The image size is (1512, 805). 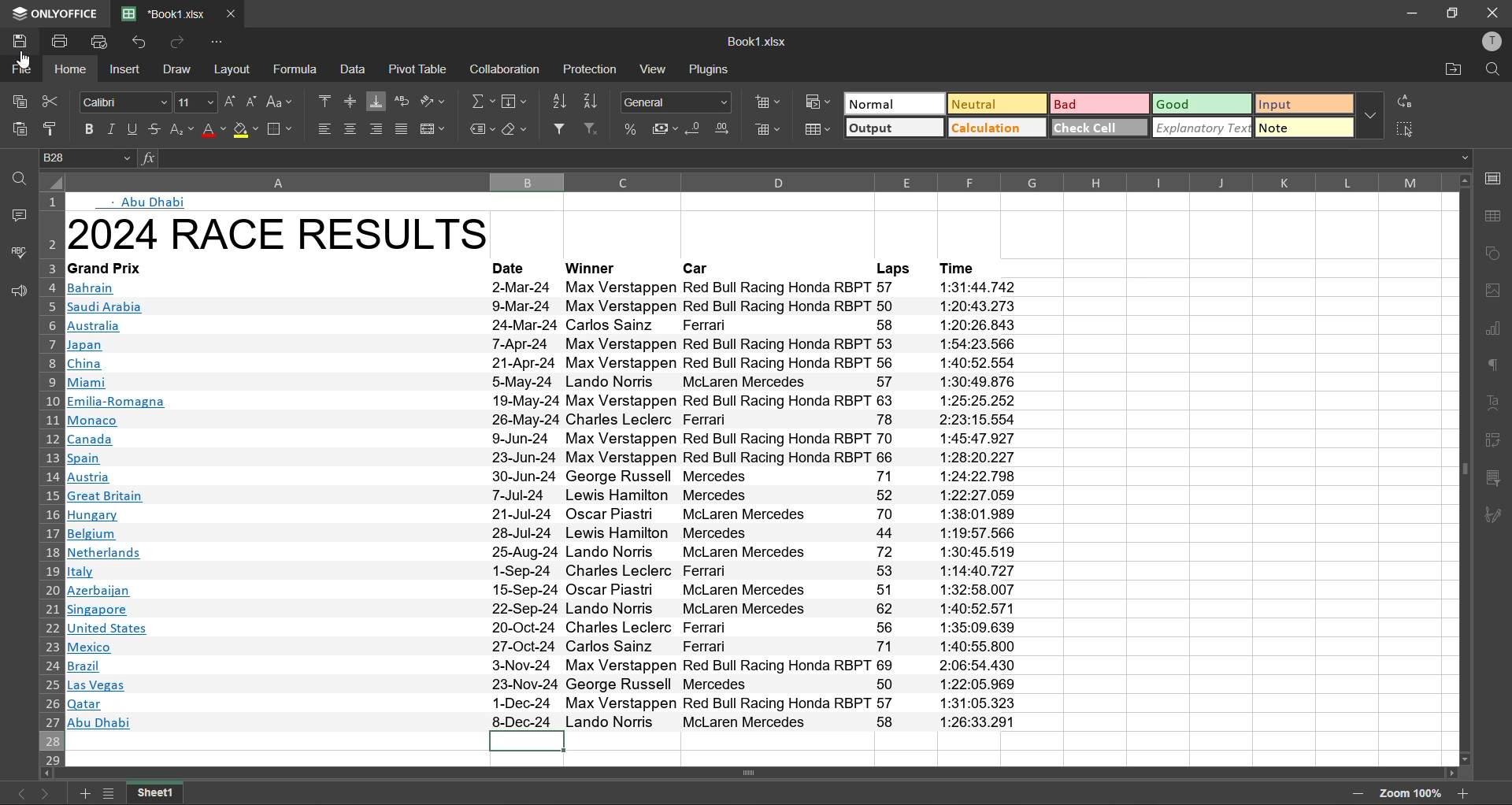 I want to click on formula, so click(x=296, y=70).